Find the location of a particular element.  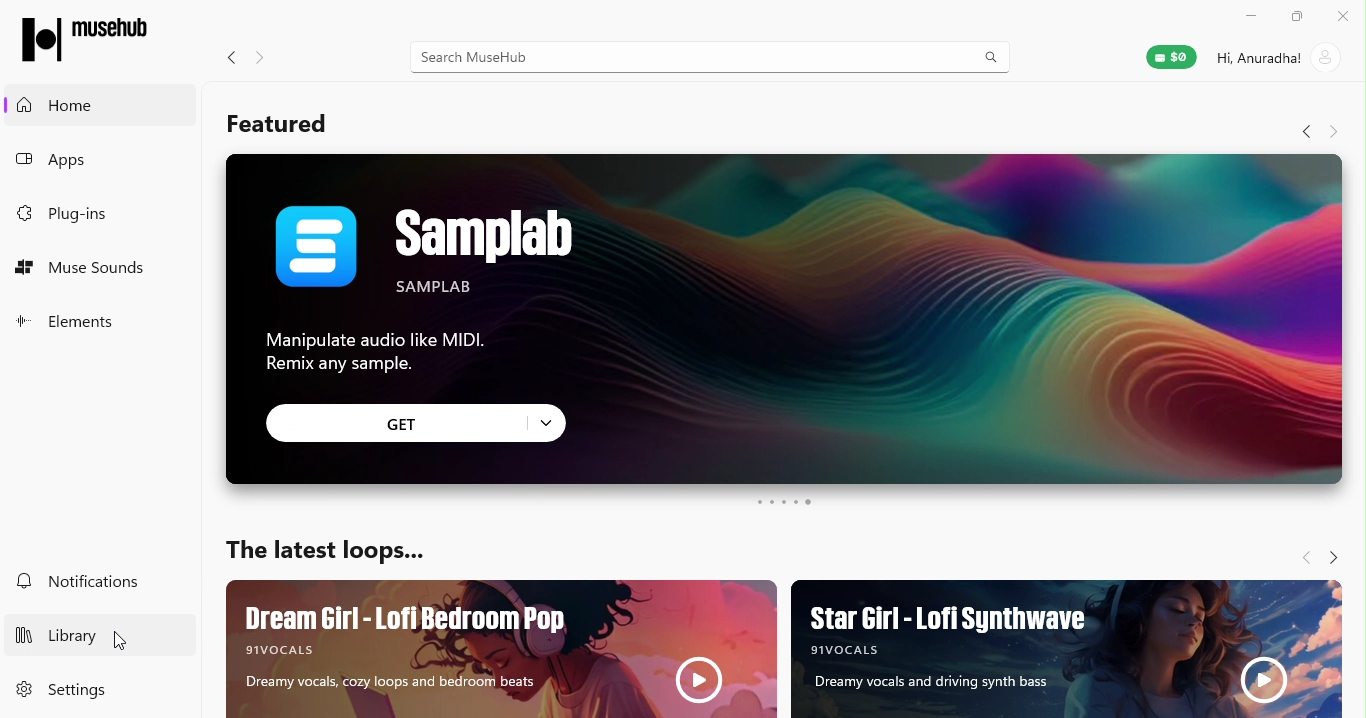

Muse wallet is located at coordinates (1159, 61).